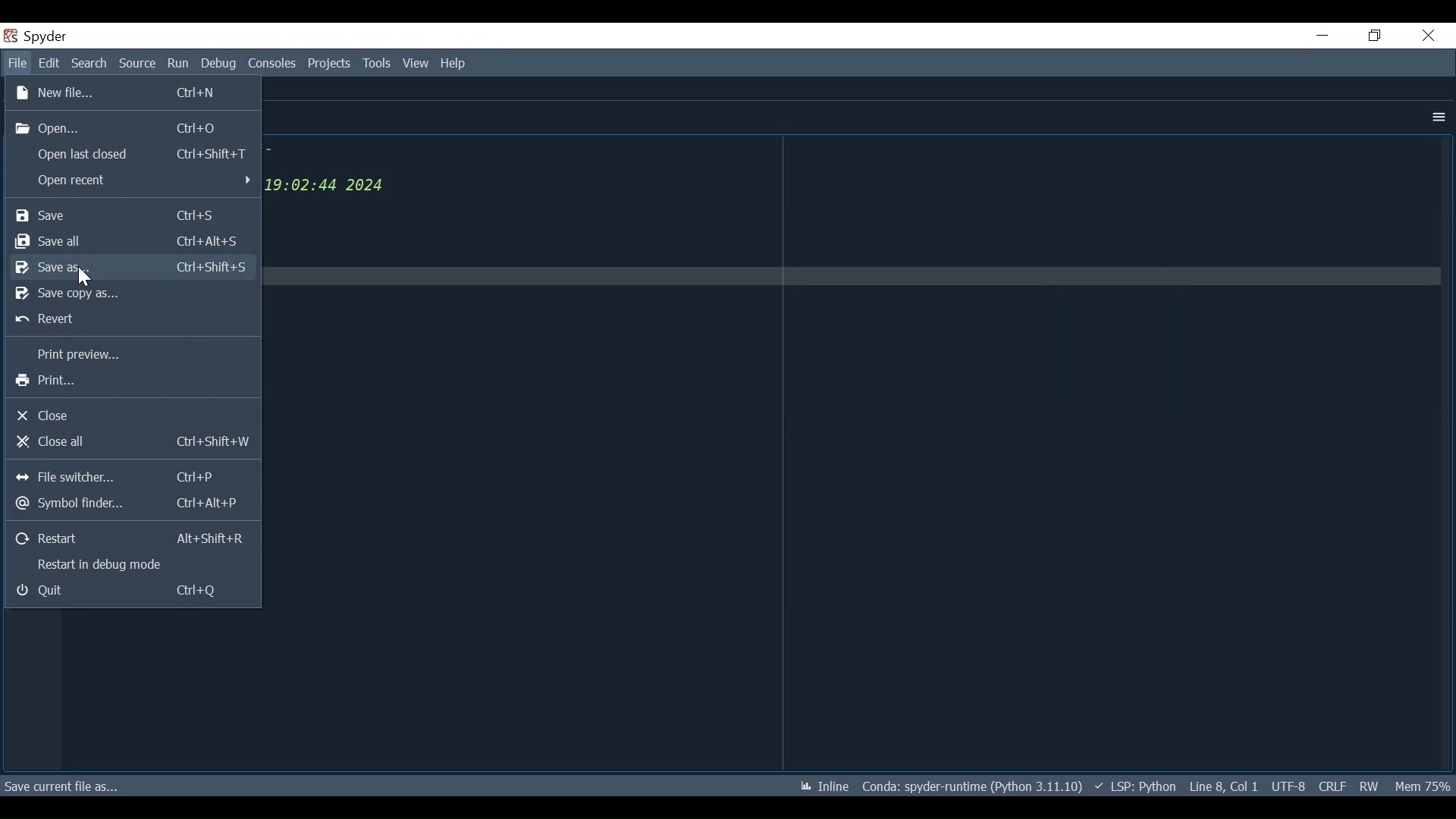  I want to click on Close, so click(1428, 35).